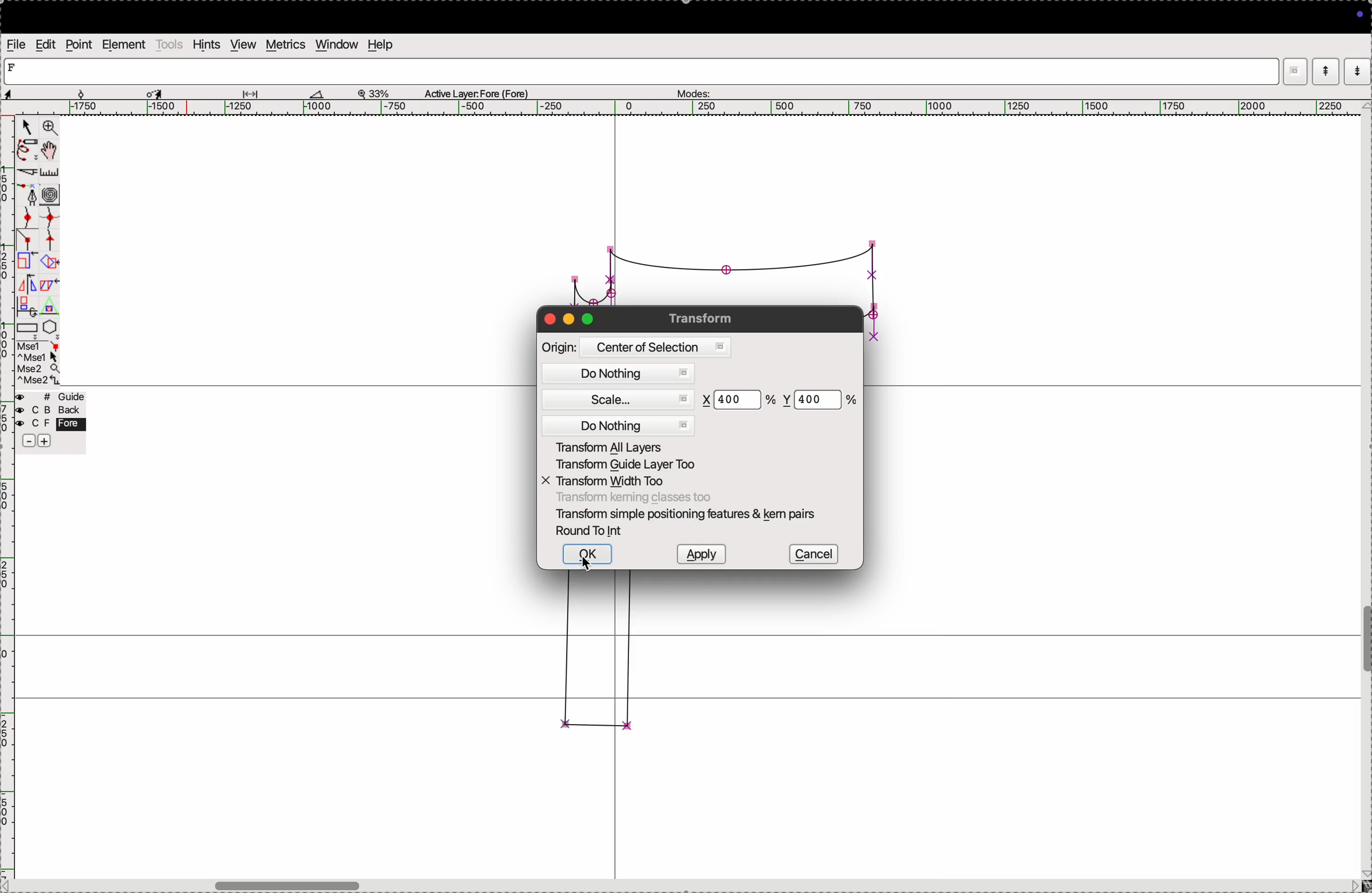 Image resolution: width=1372 pixels, height=893 pixels. Describe the element at coordinates (51, 150) in the screenshot. I see `toggle` at that location.